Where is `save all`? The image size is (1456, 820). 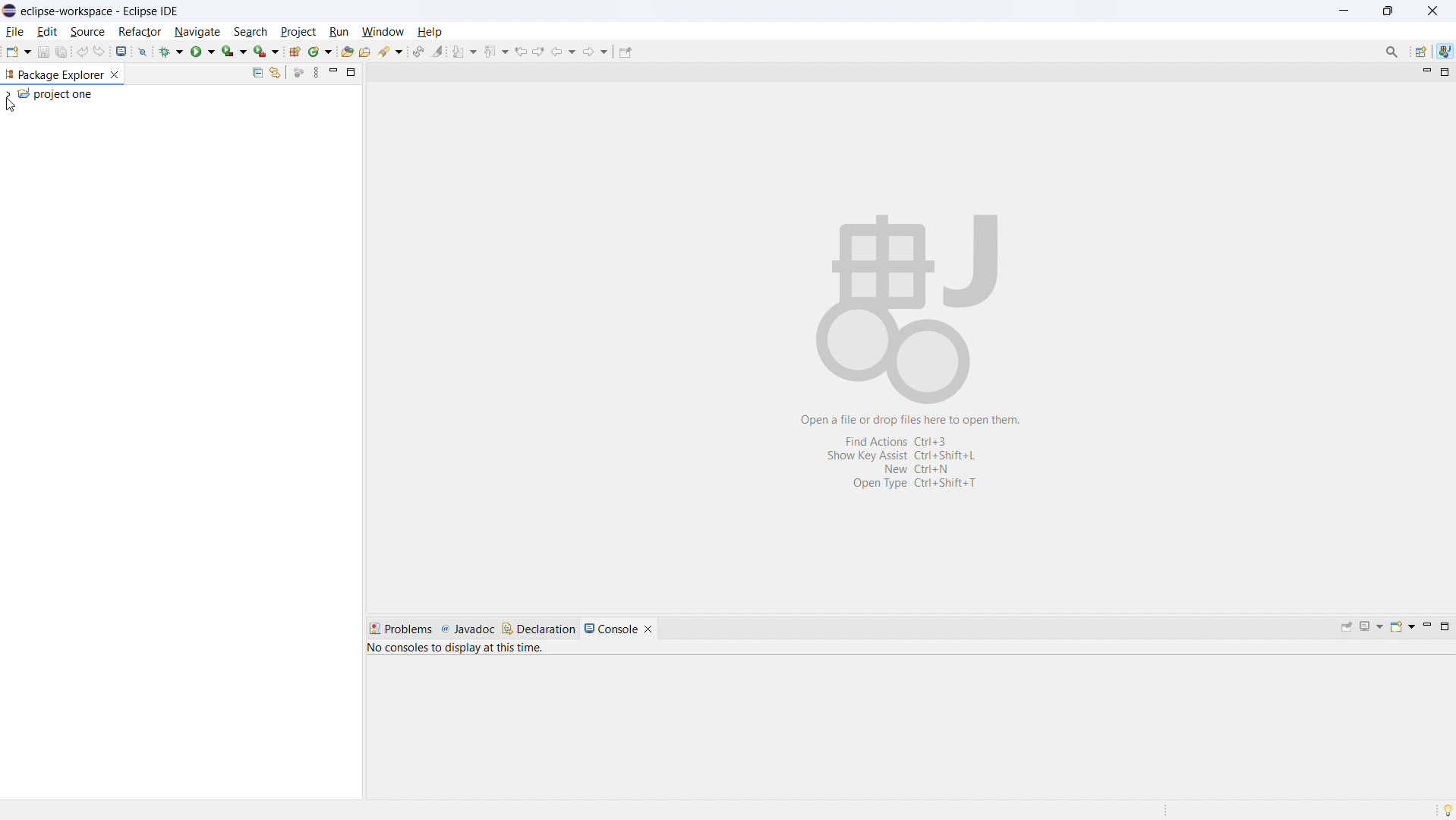
save all is located at coordinates (62, 52).